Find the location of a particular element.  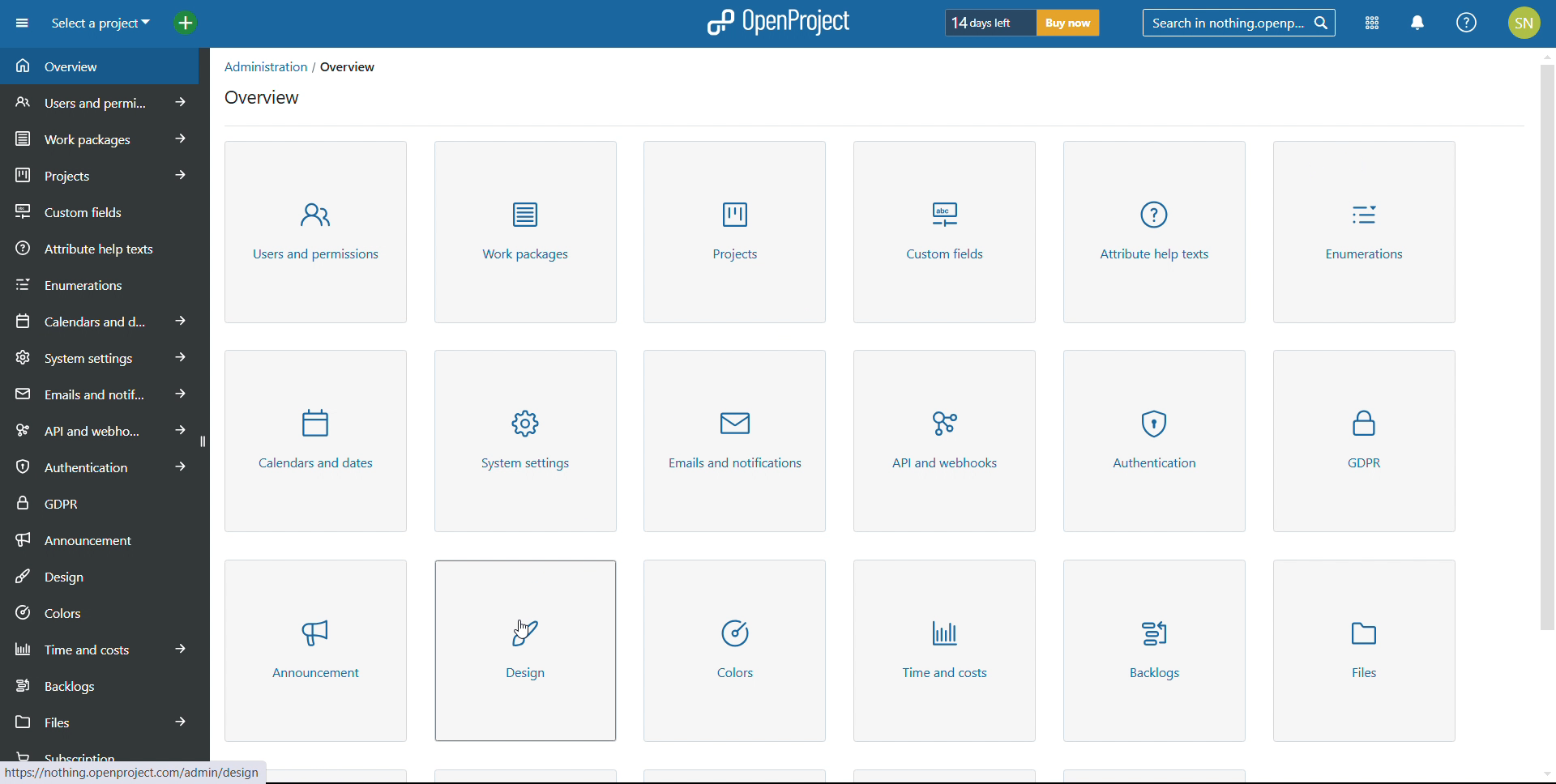

overview is located at coordinates (104, 66).